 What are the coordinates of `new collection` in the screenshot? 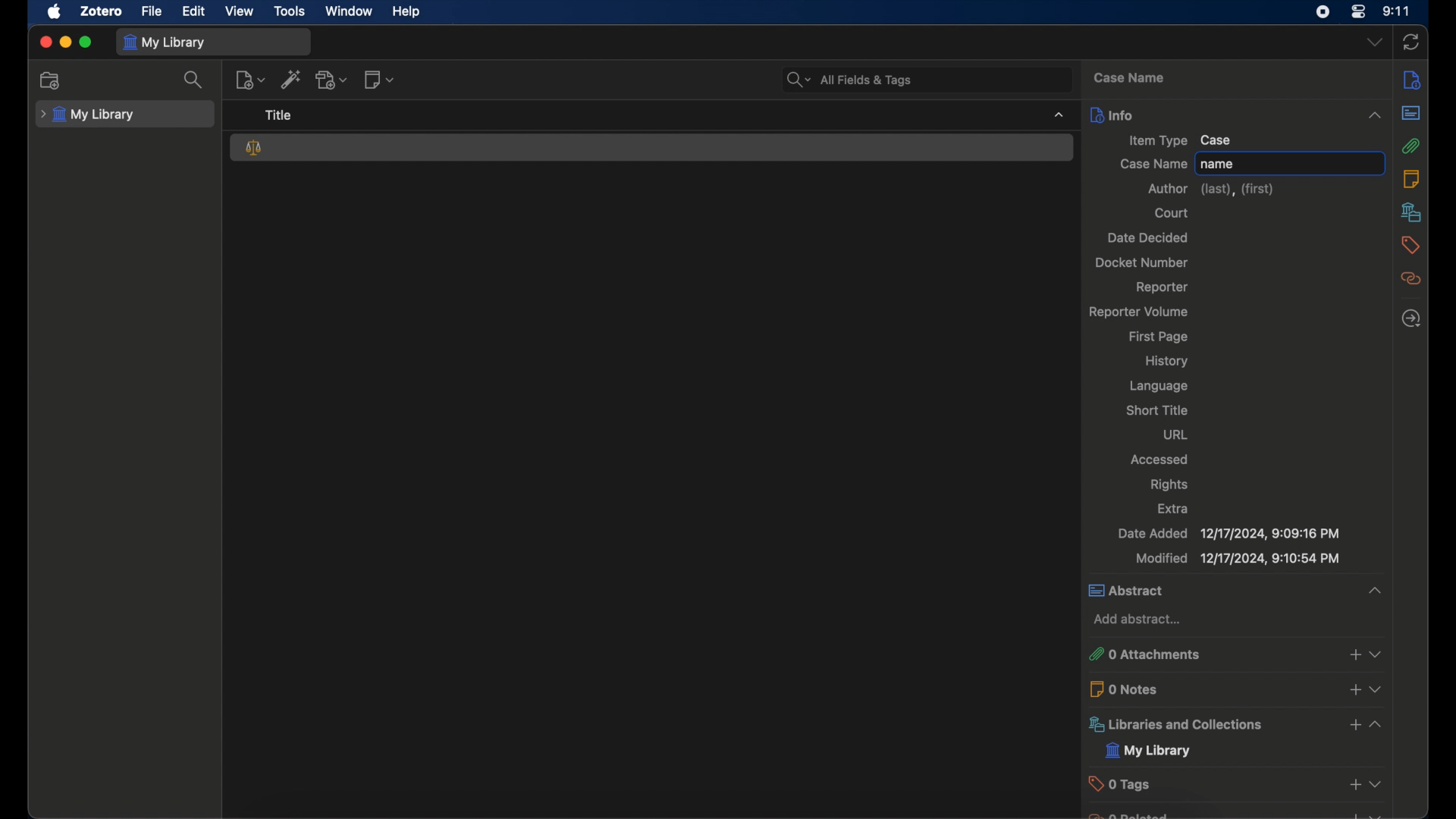 It's located at (51, 81).